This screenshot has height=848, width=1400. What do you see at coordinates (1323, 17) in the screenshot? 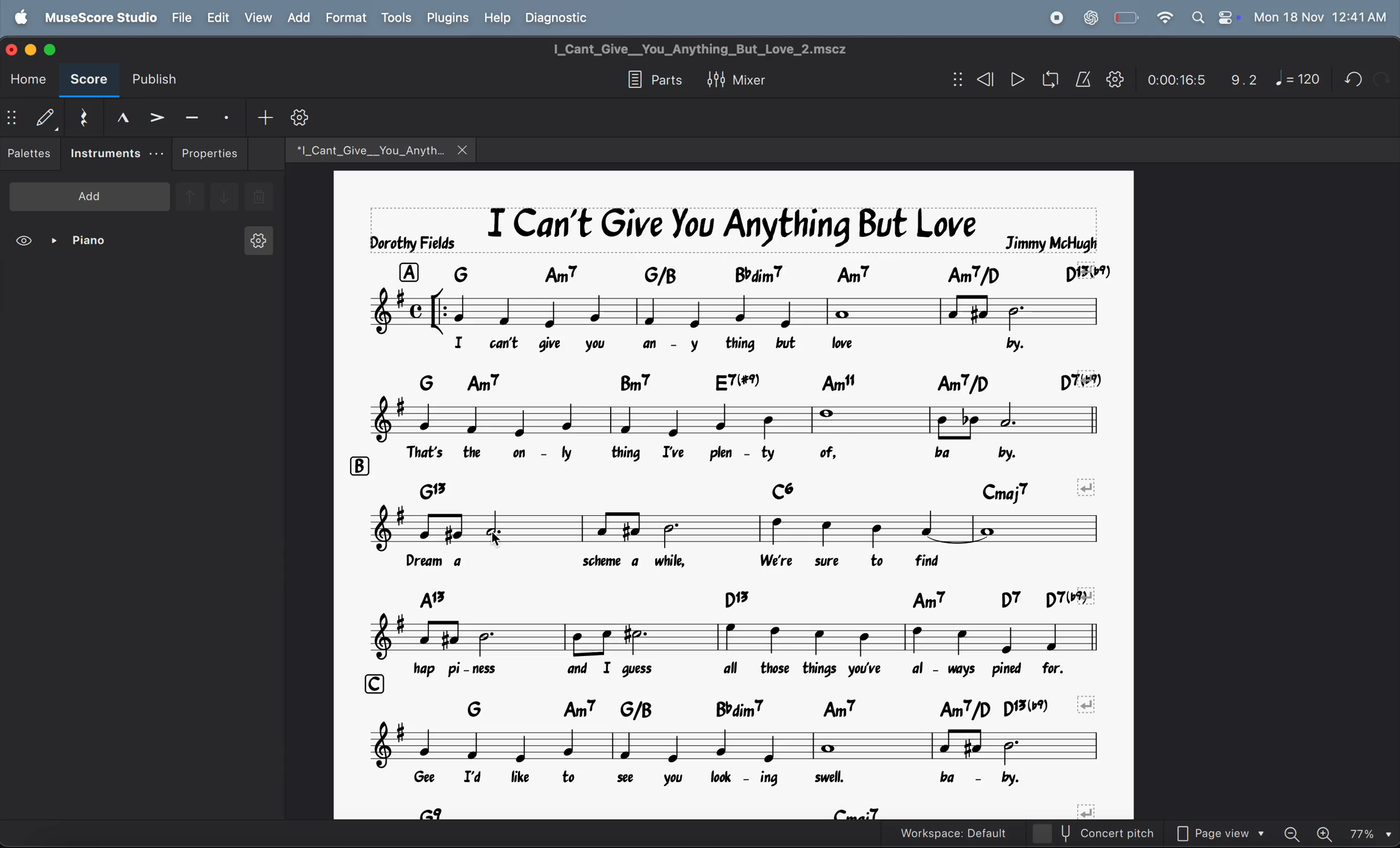
I see `date and time` at bounding box center [1323, 17].